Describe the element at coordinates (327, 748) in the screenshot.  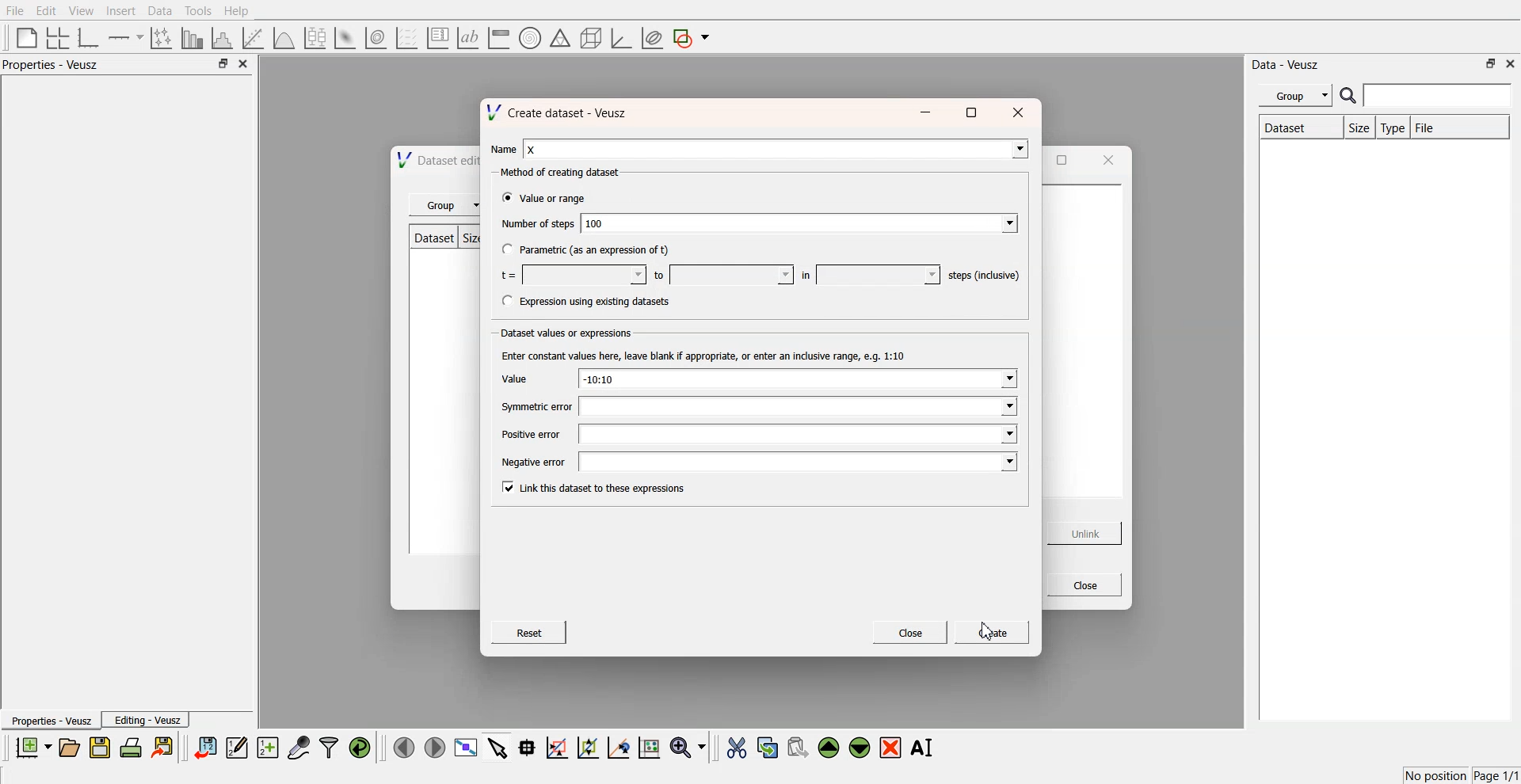
I see `filters` at that location.